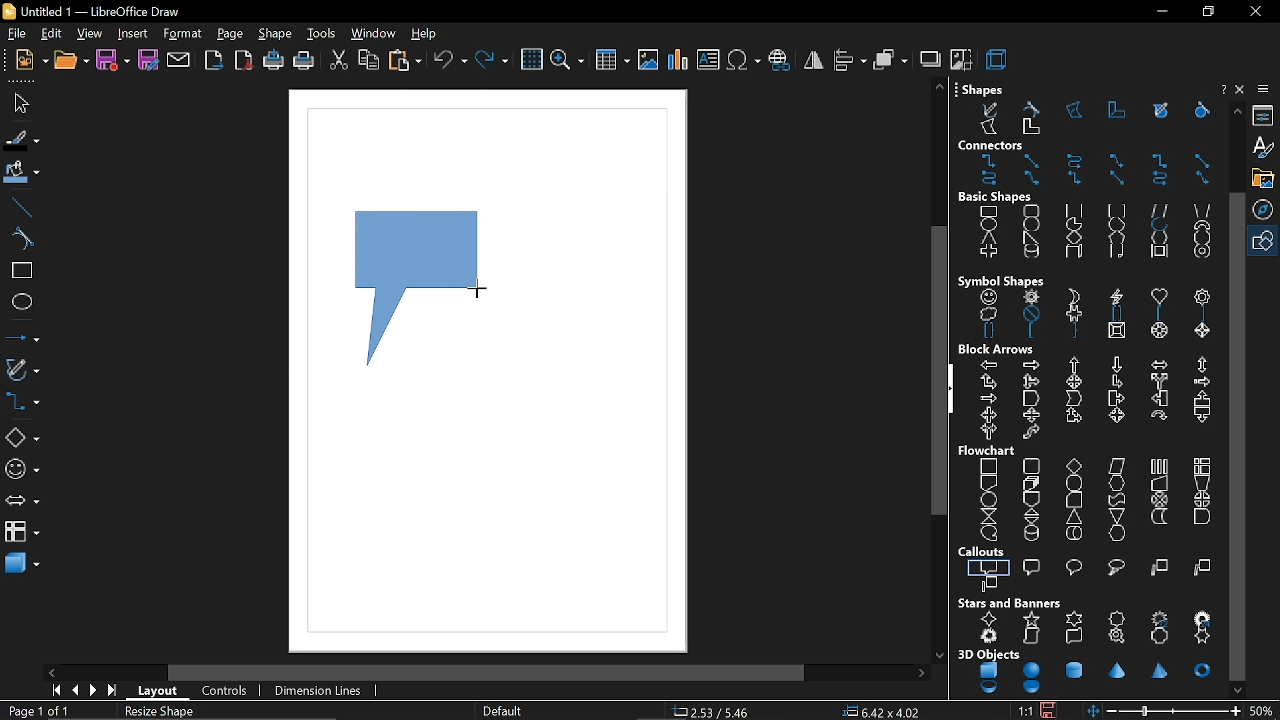 Image resolution: width=1280 pixels, height=720 pixels. Describe the element at coordinates (939, 372) in the screenshot. I see `vertical scroll bar` at that location.